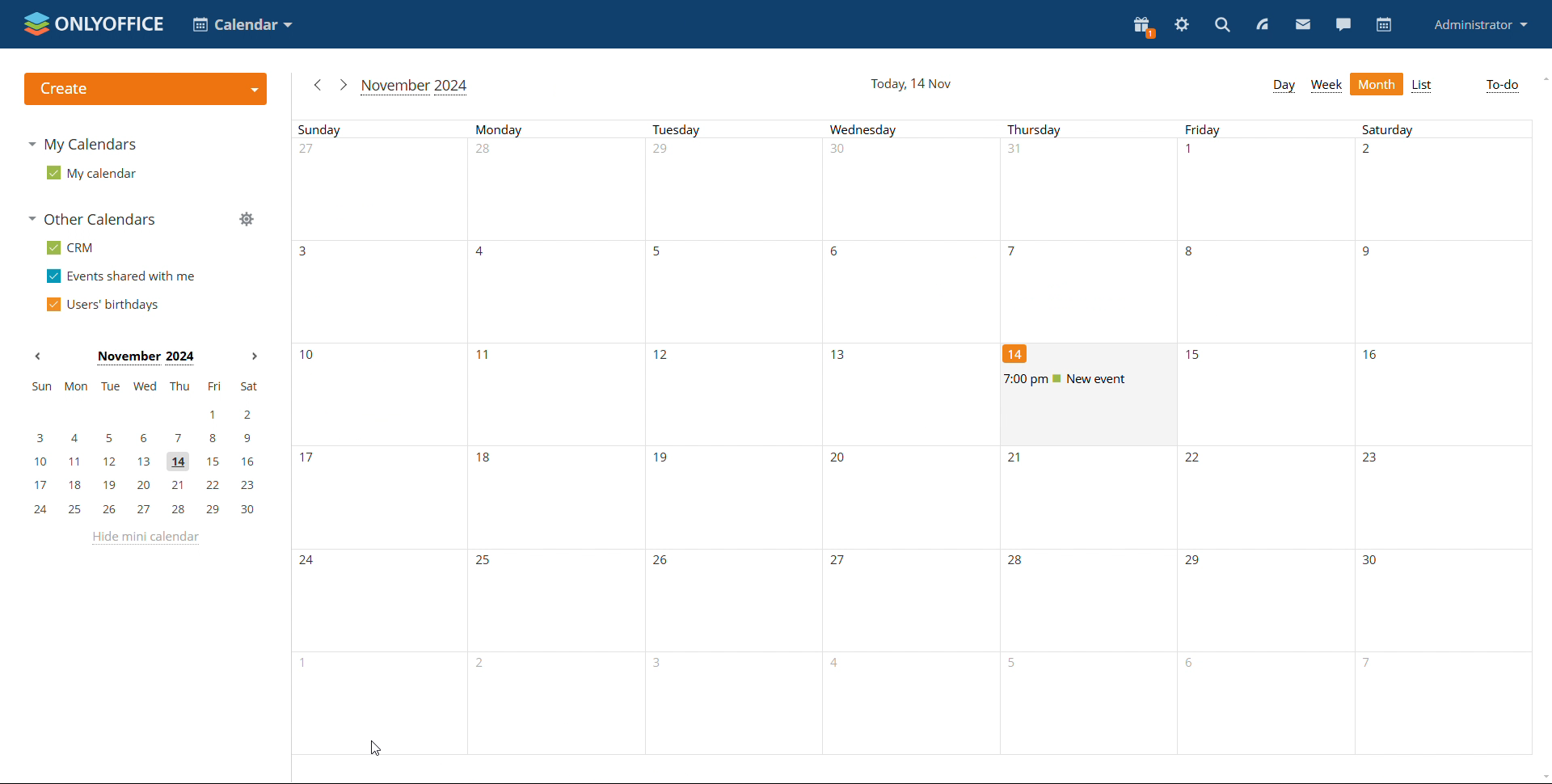 Image resolution: width=1552 pixels, height=784 pixels. Describe the element at coordinates (912, 84) in the screenshot. I see `day and date` at that location.